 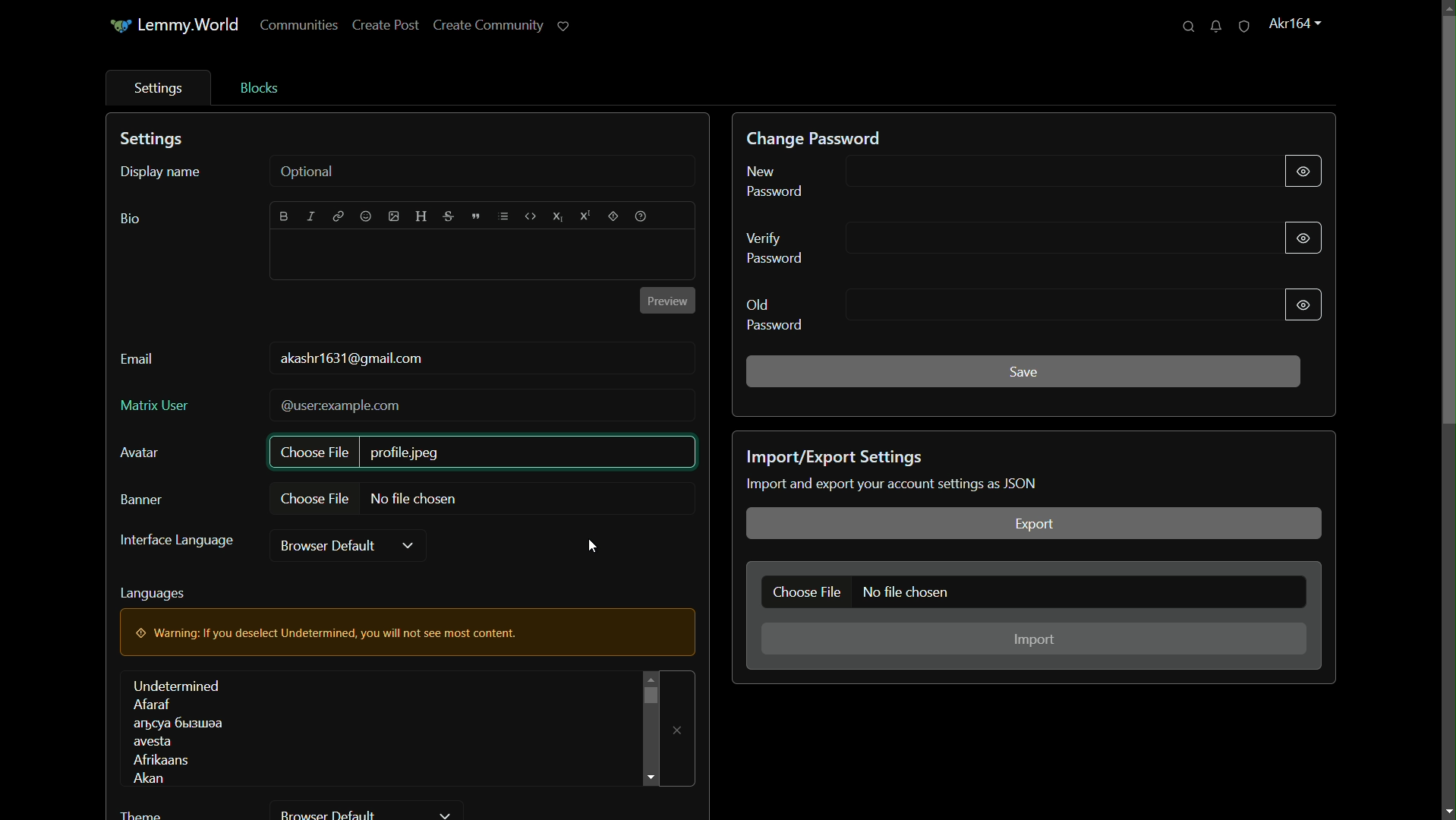 What do you see at coordinates (155, 88) in the screenshot?
I see `settings tab` at bounding box center [155, 88].